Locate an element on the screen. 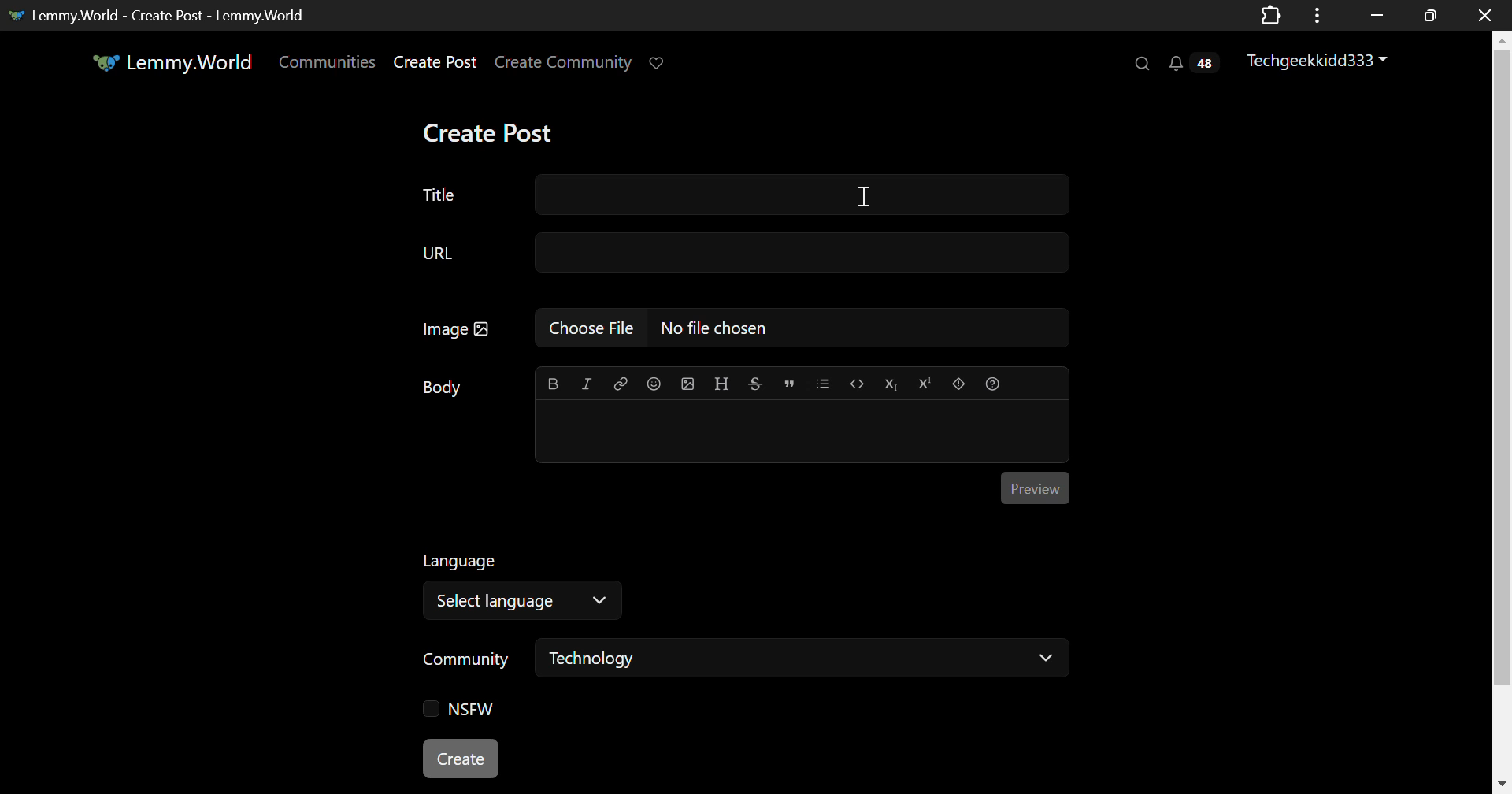 Image resolution: width=1512 pixels, height=794 pixels. Title is located at coordinates (745, 194).